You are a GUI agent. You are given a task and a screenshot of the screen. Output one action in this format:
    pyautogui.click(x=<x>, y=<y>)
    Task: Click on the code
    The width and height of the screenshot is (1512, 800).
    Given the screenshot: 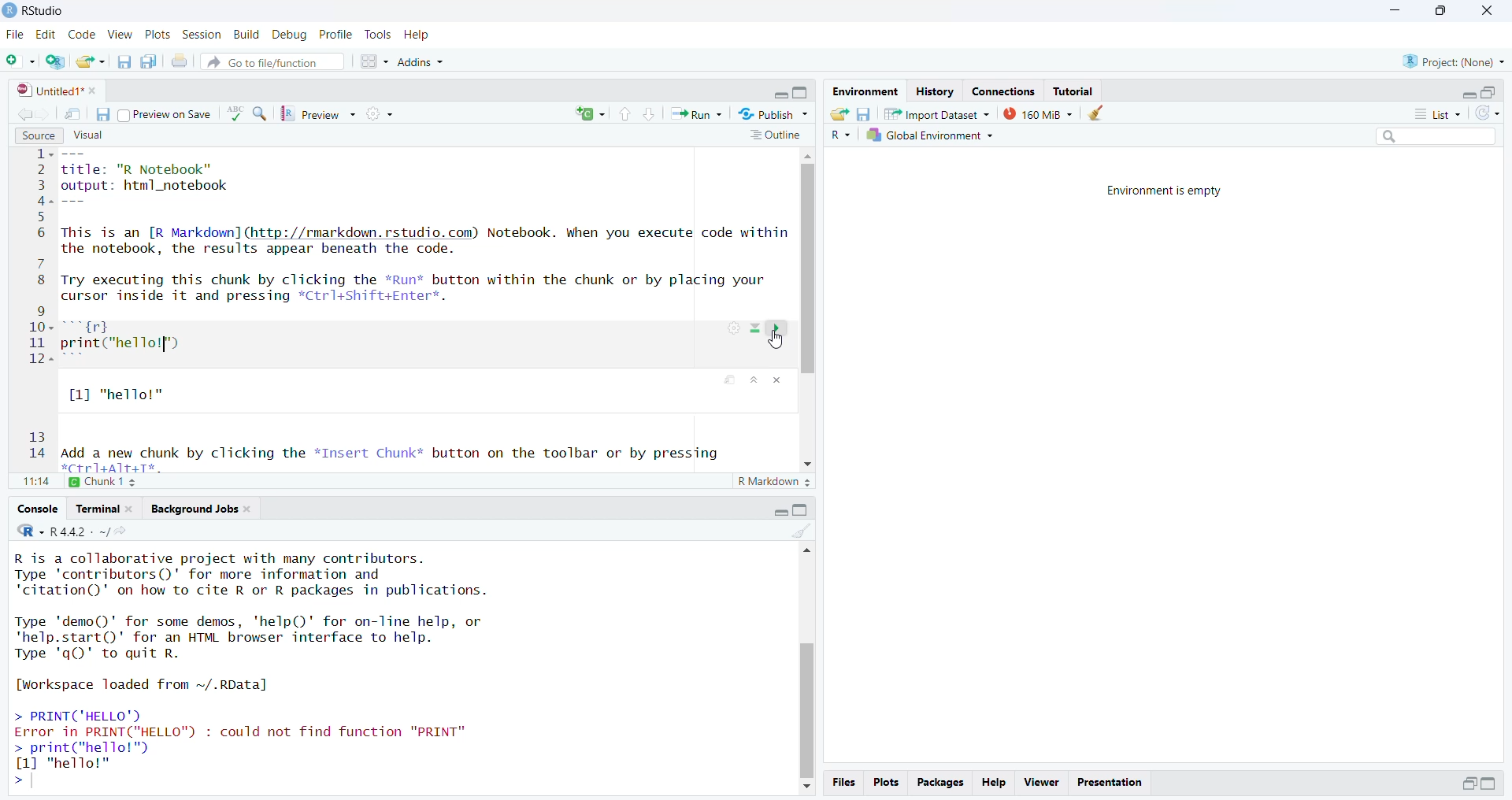 What is the action you would take?
    pyautogui.click(x=83, y=34)
    